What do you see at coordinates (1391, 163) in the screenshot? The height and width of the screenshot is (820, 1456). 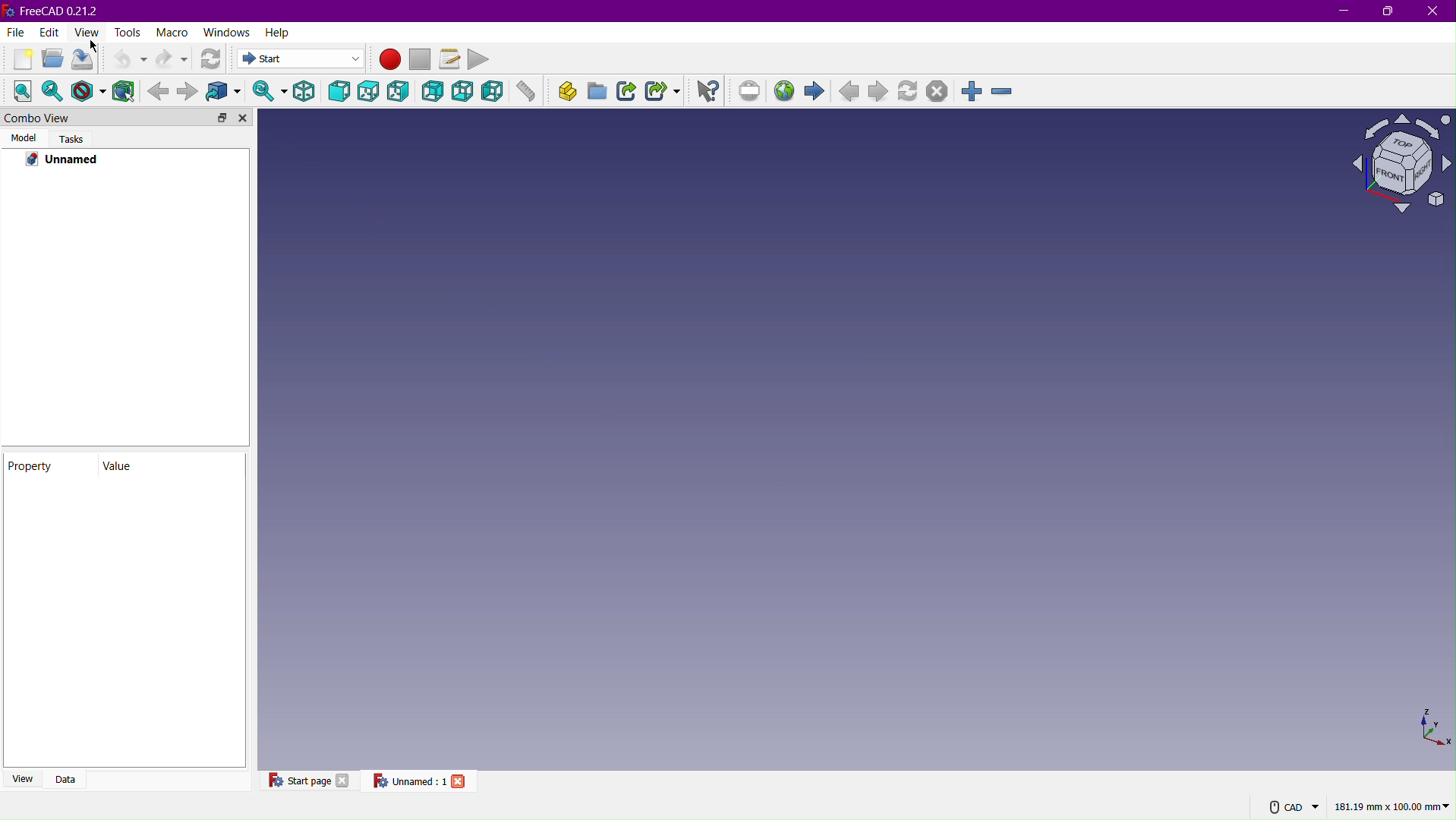 I see `Plane view` at bounding box center [1391, 163].